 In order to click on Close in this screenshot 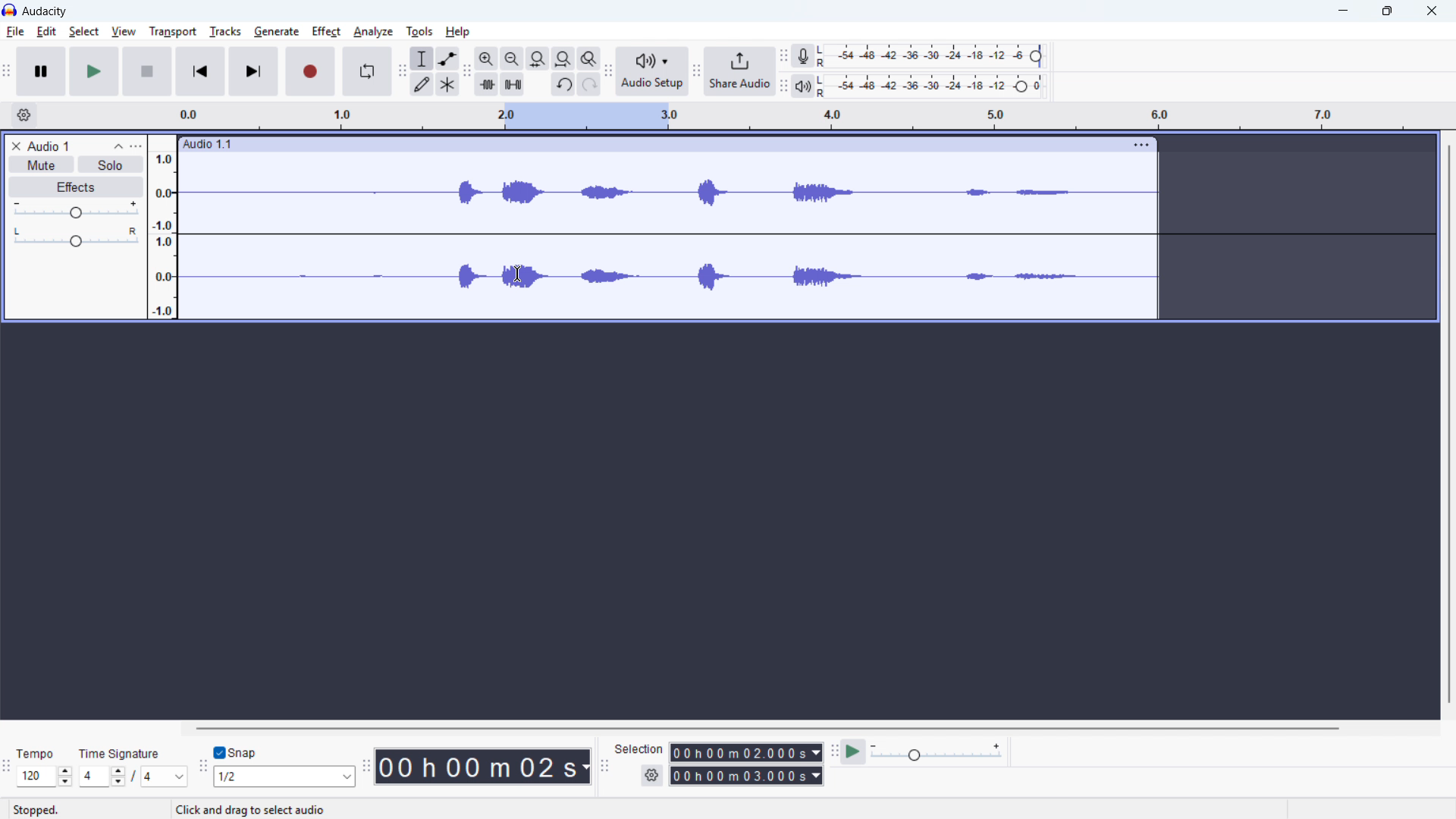, I will do `click(1430, 11)`.